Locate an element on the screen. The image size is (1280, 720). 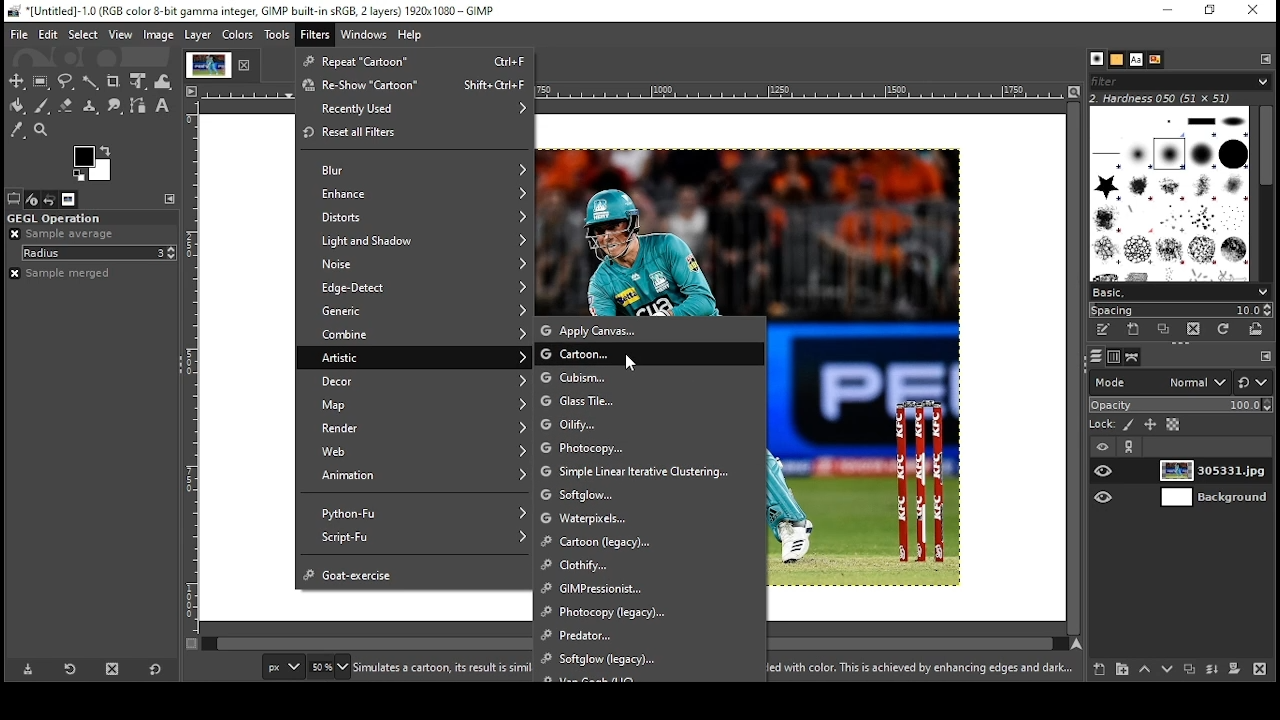
script fu is located at coordinates (420, 537).